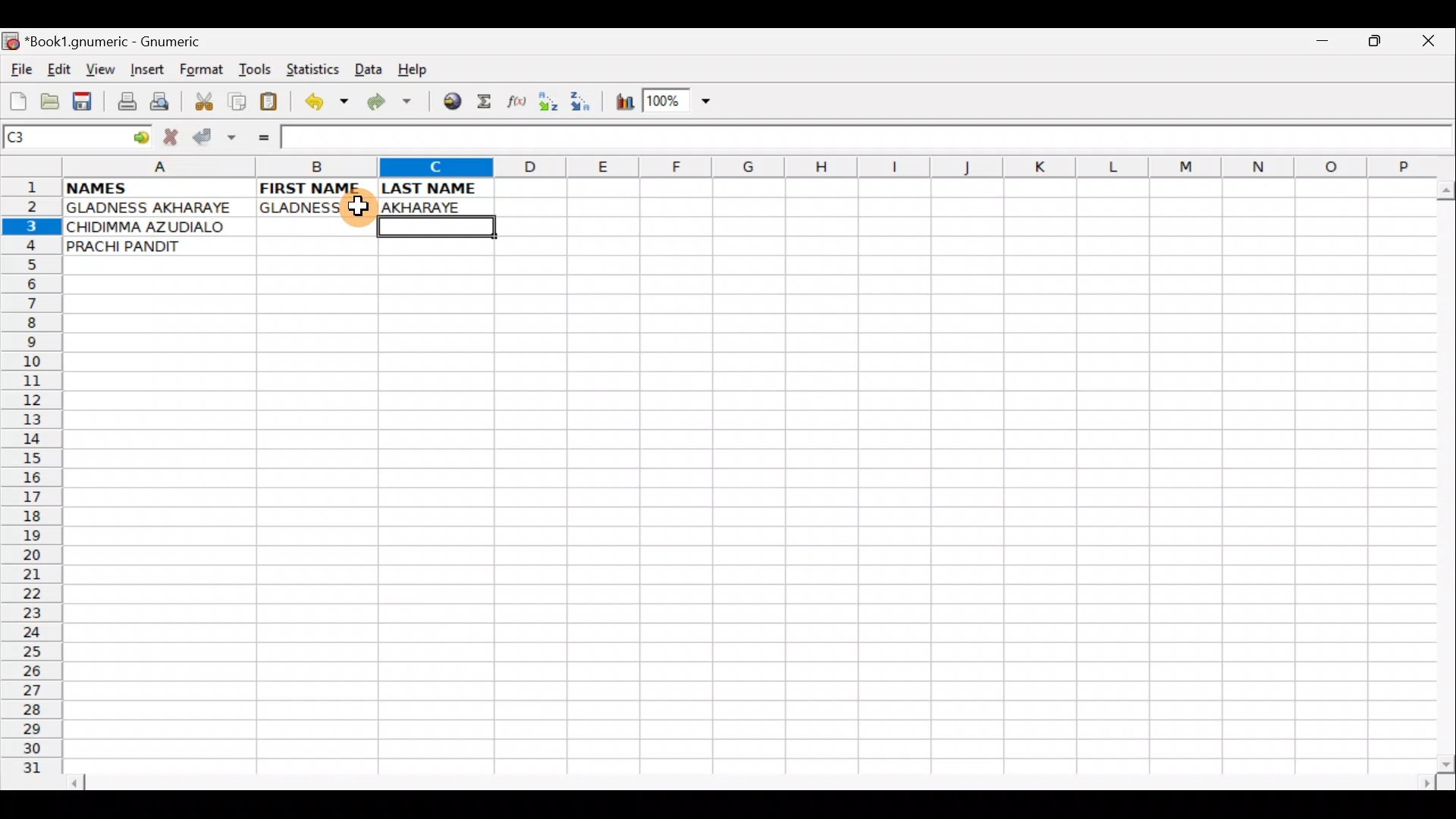 The width and height of the screenshot is (1456, 819). What do you see at coordinates (140, 135) in the screenshot?
I see `go to` at bounding box center [140, 135].